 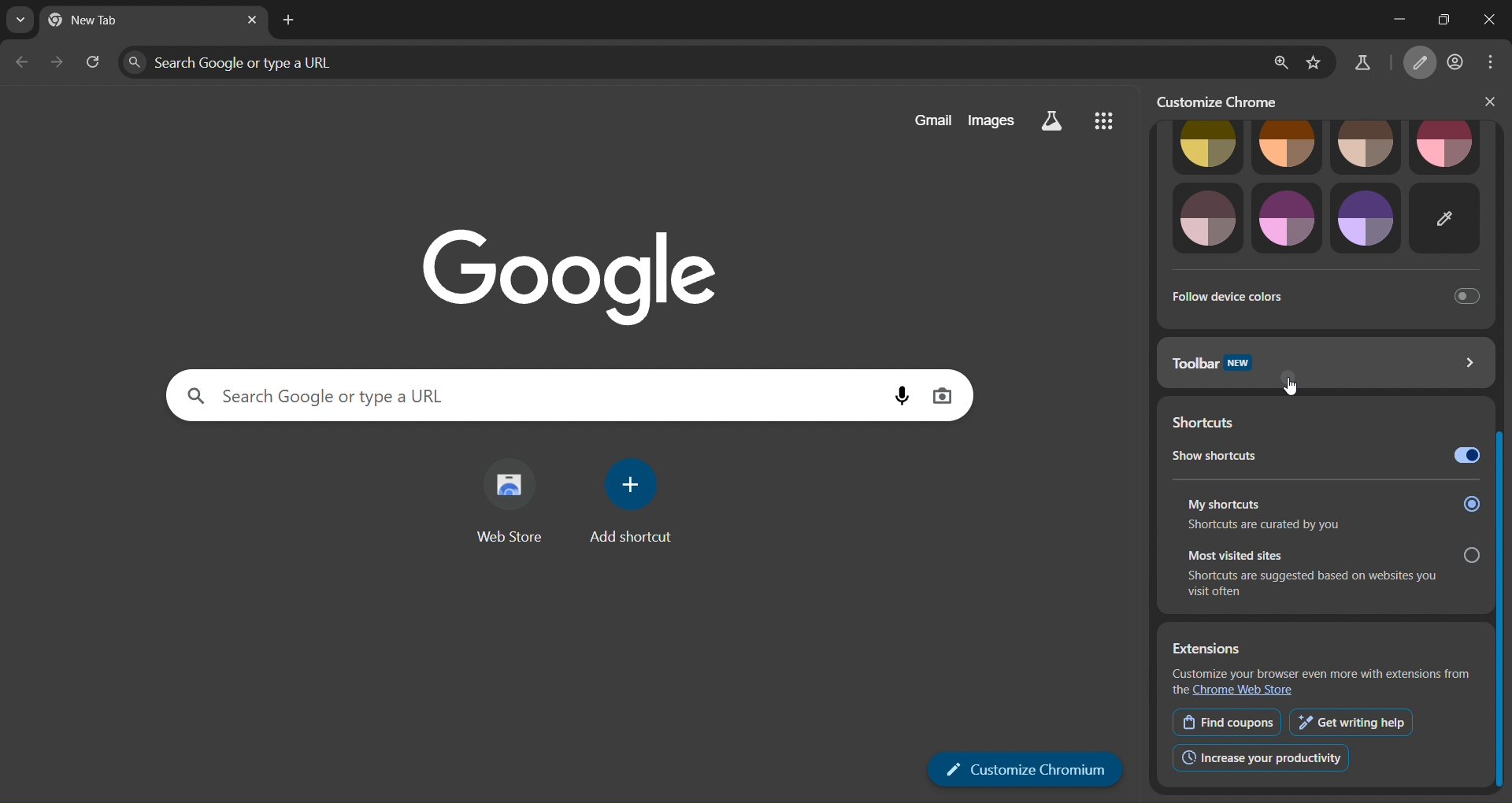 I want to click on theme, so click(x=1366, y=145).